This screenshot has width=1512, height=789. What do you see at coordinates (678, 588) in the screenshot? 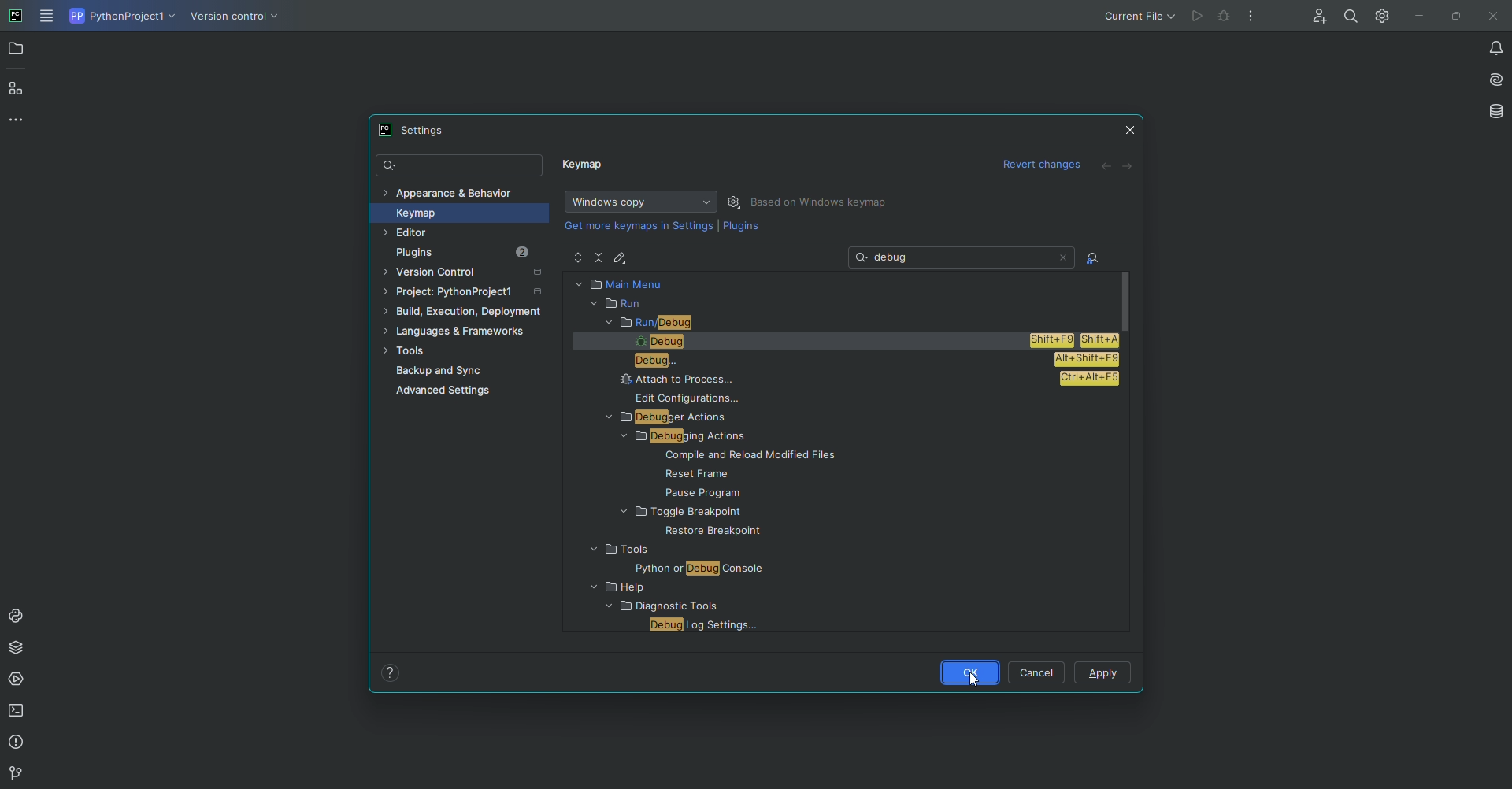
I see `FOLDER NAME` at bounding box center [678, 588].